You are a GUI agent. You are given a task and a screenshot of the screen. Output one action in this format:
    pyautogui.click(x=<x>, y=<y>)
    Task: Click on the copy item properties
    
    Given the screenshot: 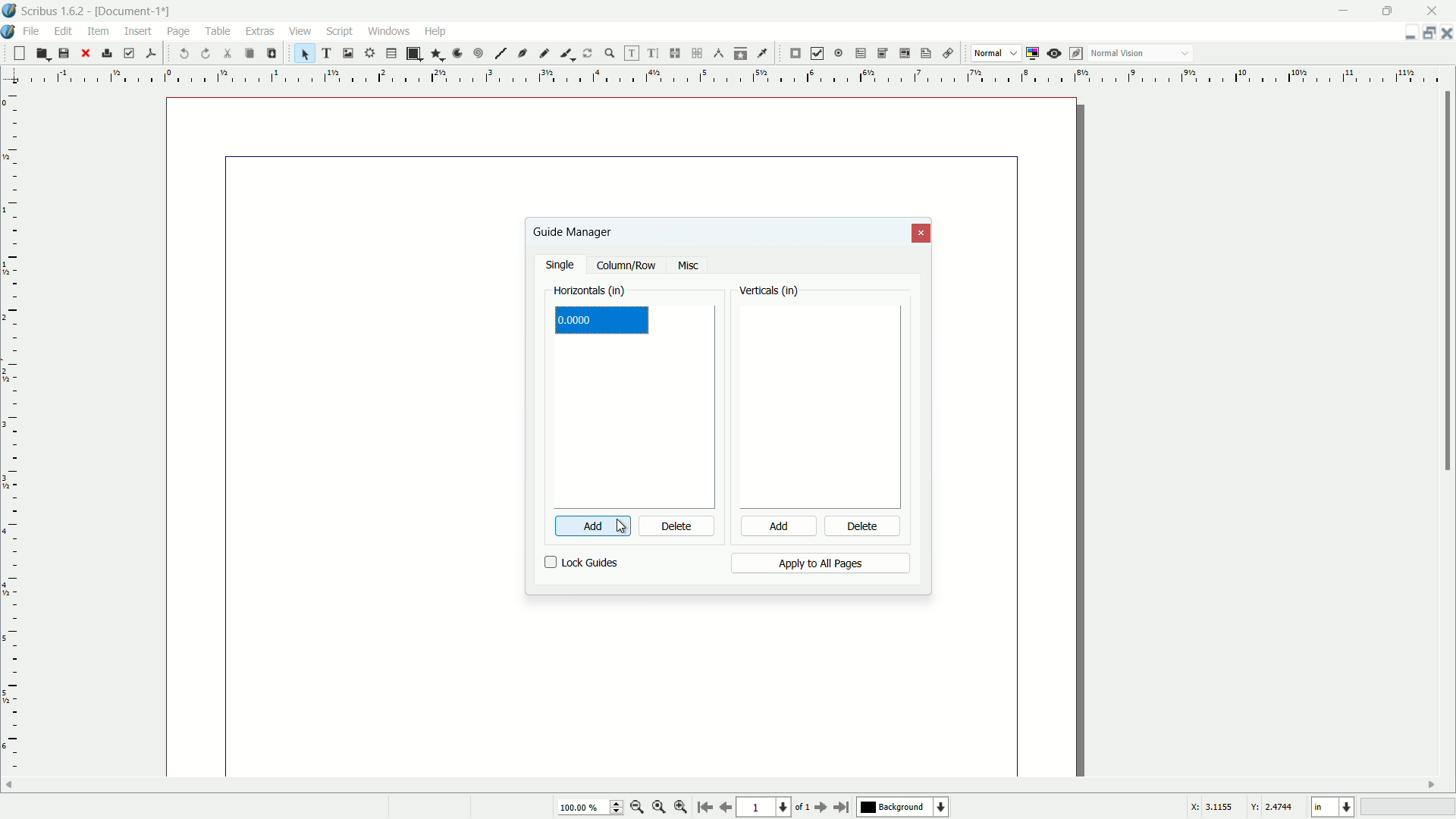 What is the action you would take?
    pyautogui.click(x=741, y=53)
    